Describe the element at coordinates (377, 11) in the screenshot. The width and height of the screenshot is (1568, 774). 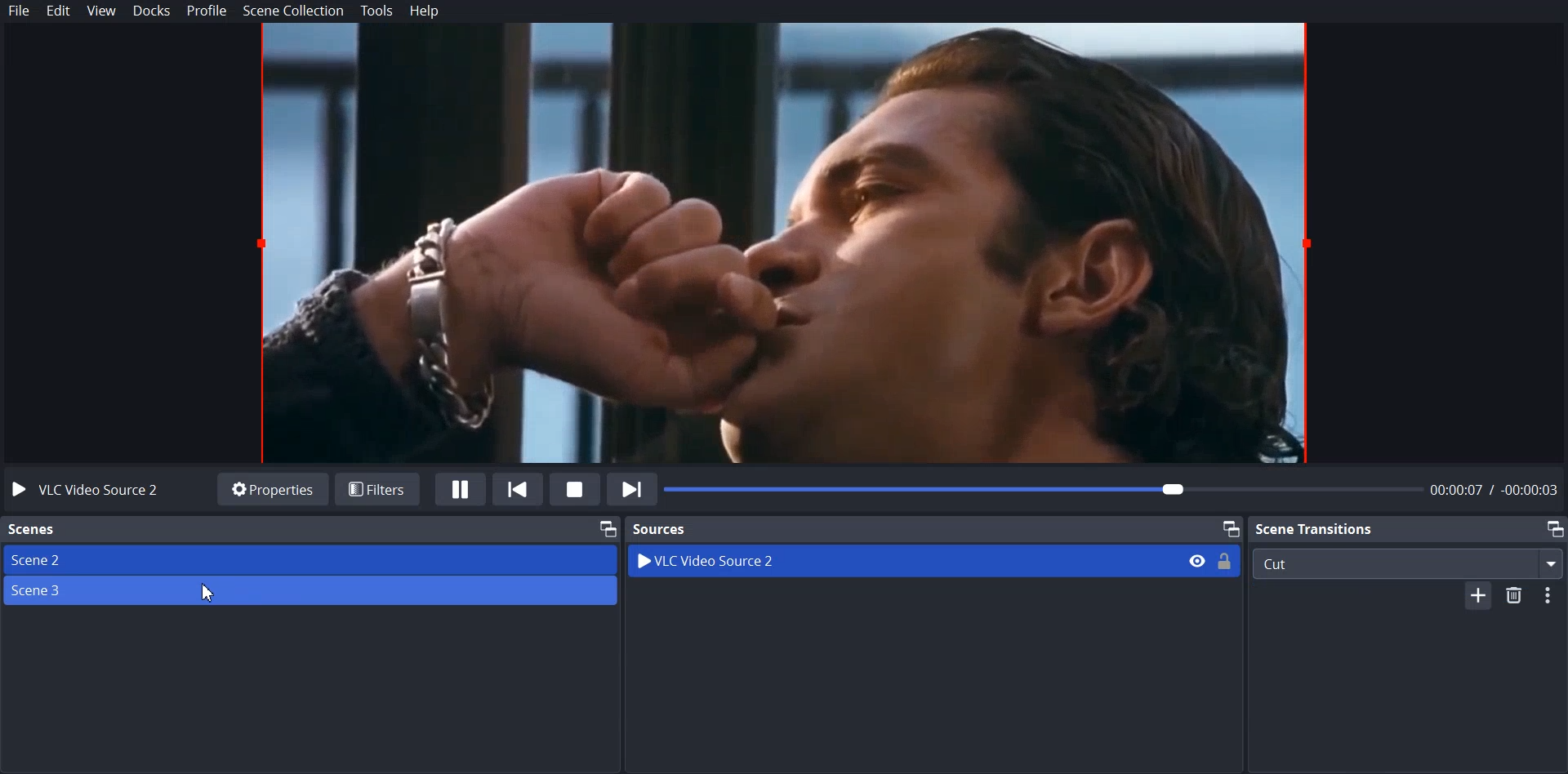
I see `Tools` at that location.